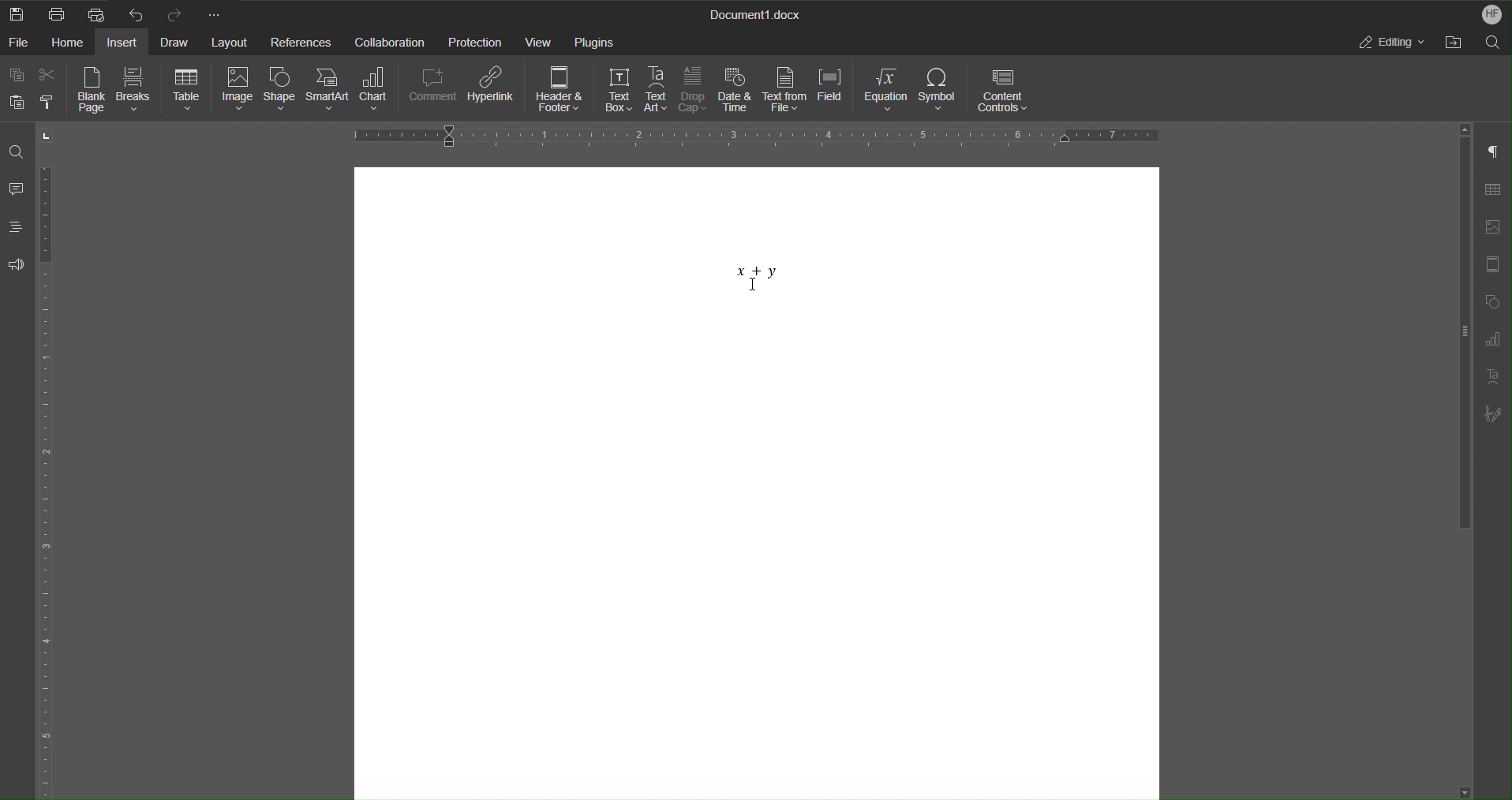 The image size is (1512, 800). I want to click on Text Box, so click(617, 90).